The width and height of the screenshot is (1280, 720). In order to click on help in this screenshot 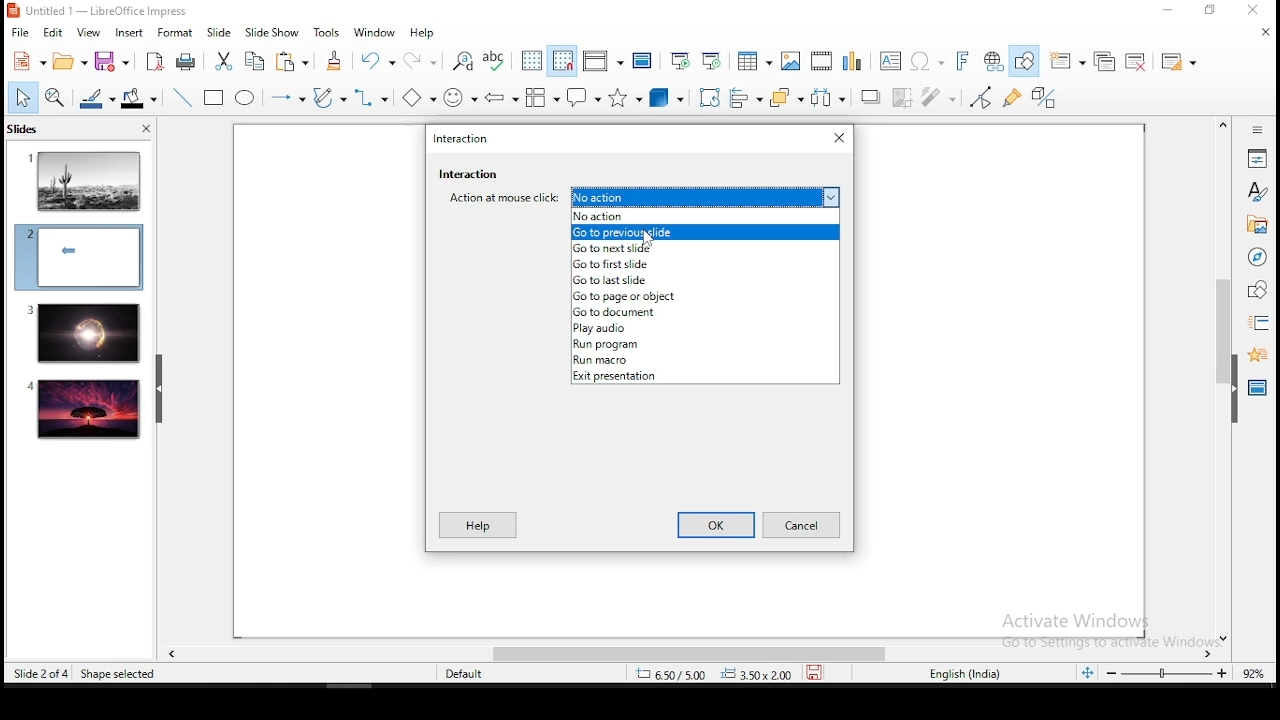, I will do `click(475, 523)`.